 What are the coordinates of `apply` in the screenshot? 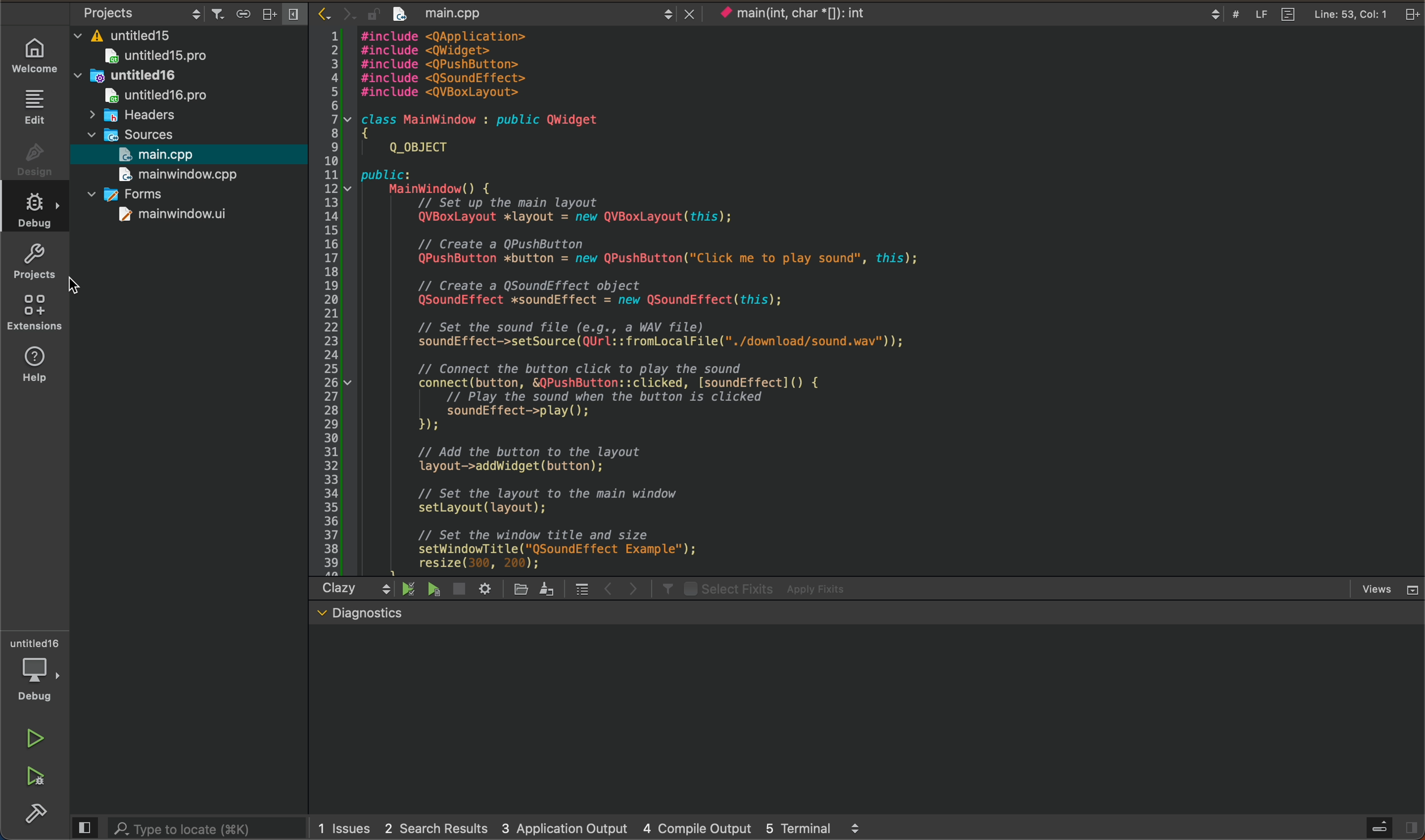 It's located at (767, 588).